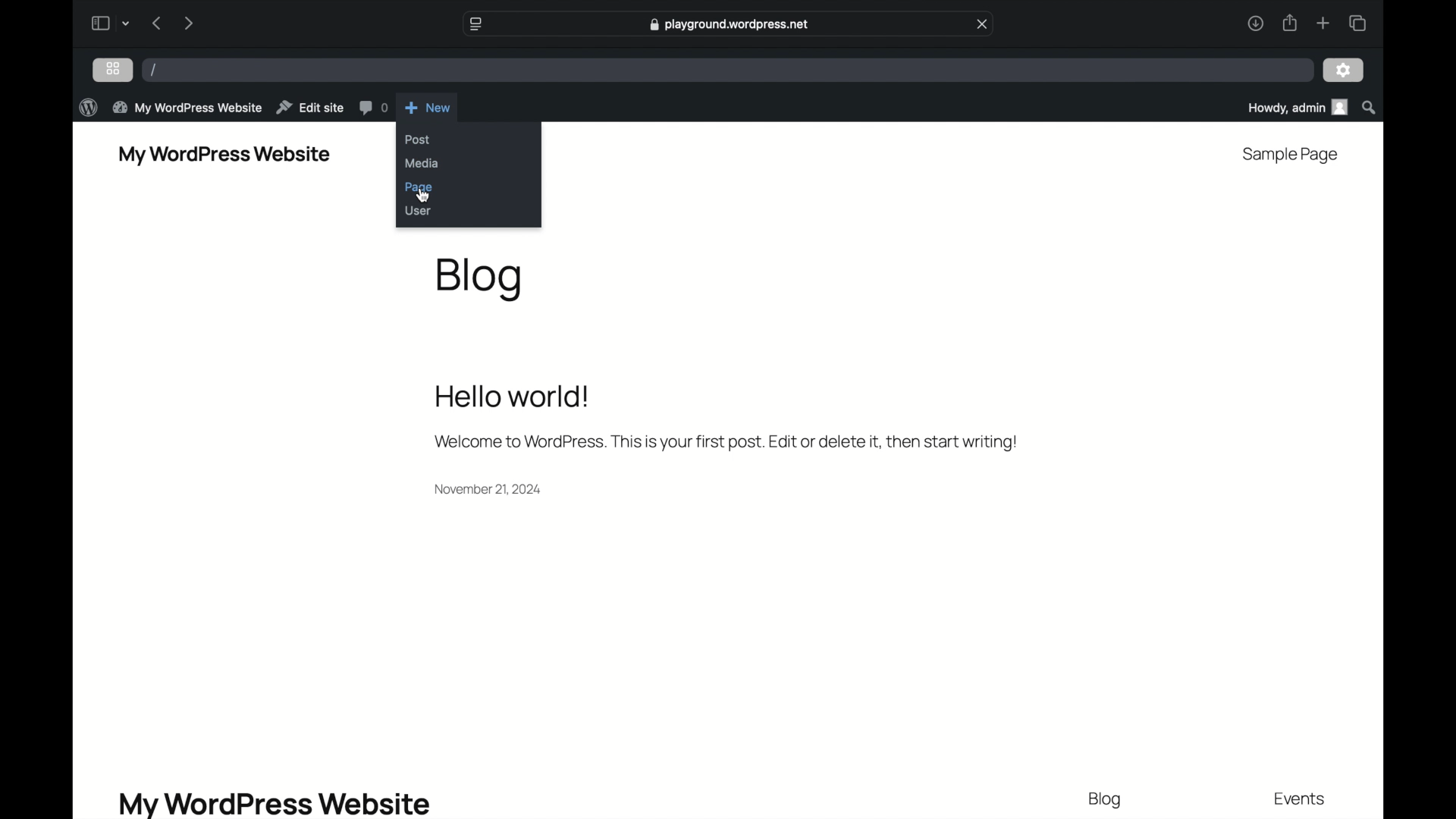  What do you see at coordinates (187, 108) in the screenshot?
I see `my wordpress website` at bounding box center [187, 108].